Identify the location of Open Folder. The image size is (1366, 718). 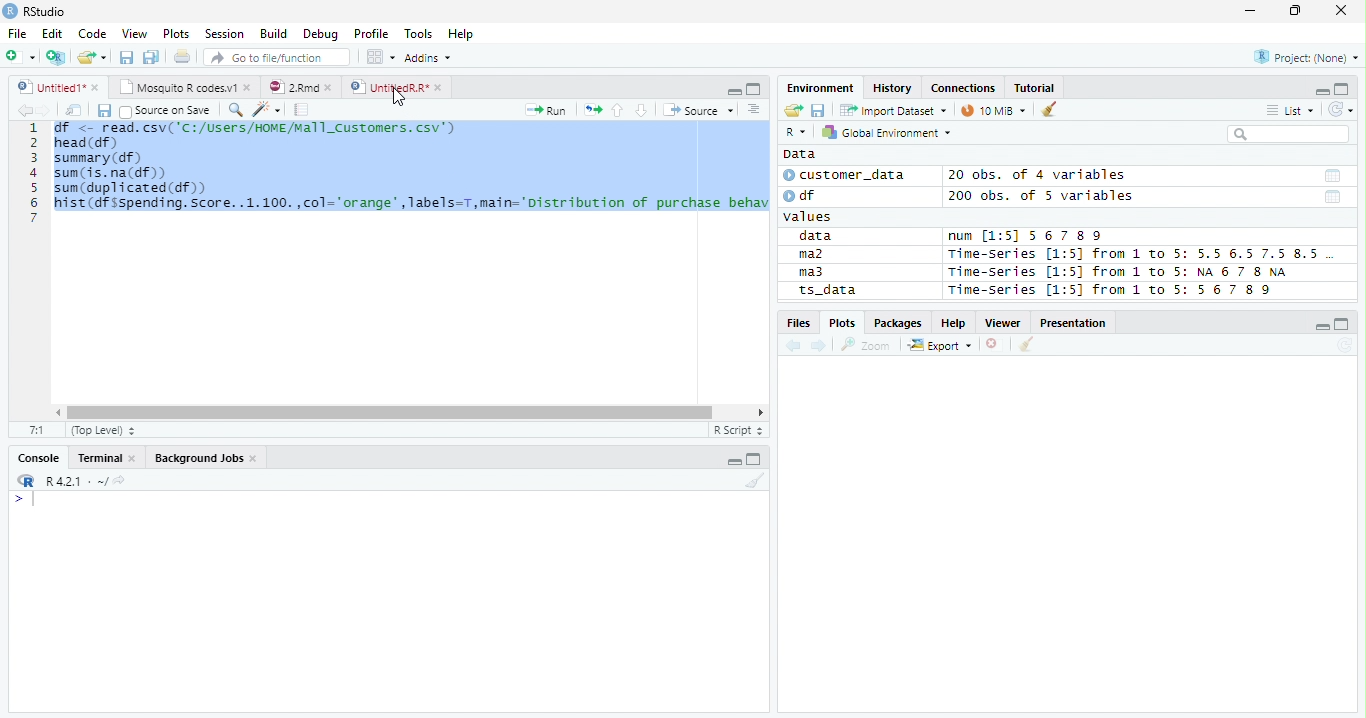
(93, 56).